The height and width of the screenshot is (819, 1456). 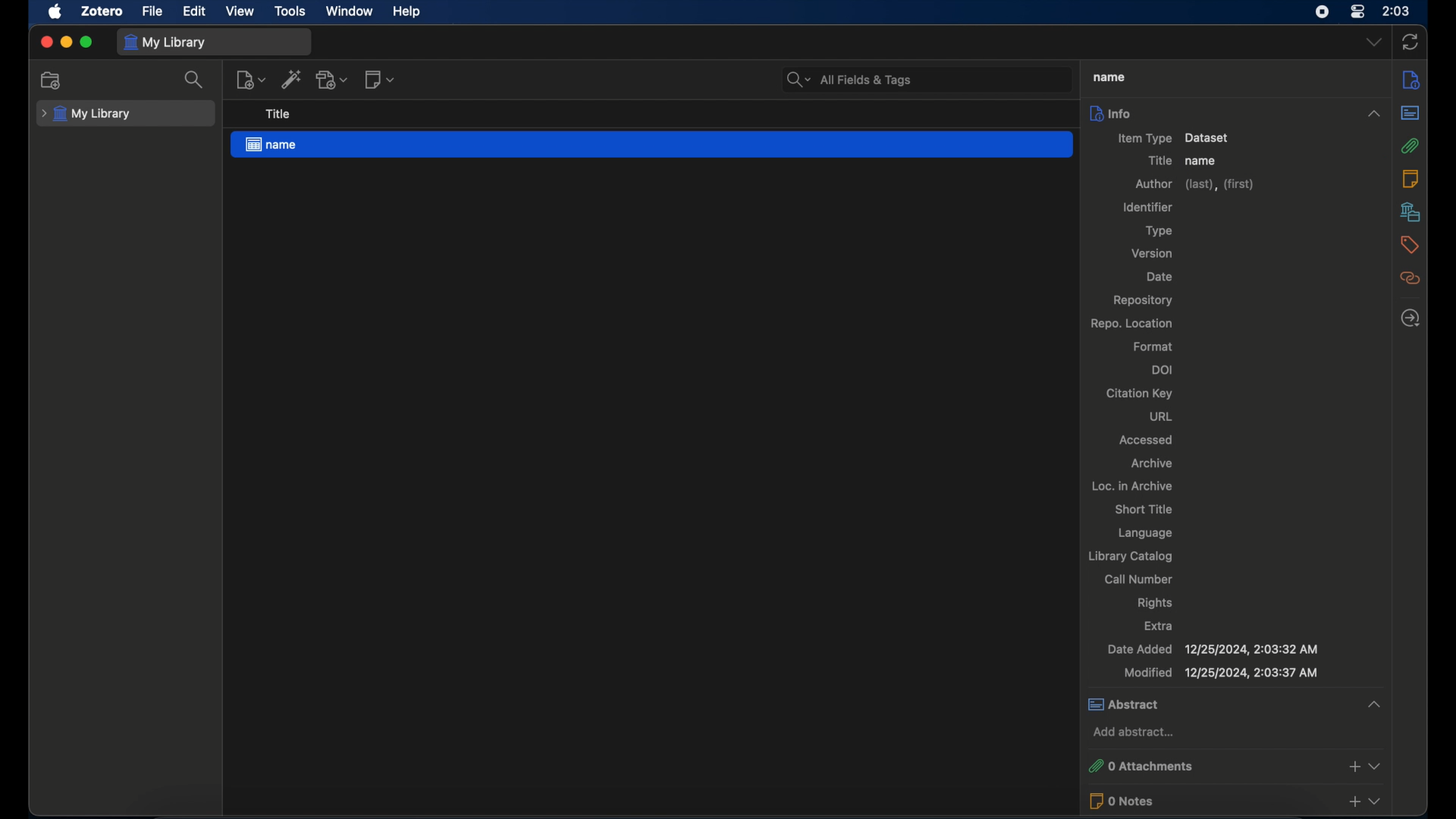 I want to click on accessed, so click(x=1146, y=440).